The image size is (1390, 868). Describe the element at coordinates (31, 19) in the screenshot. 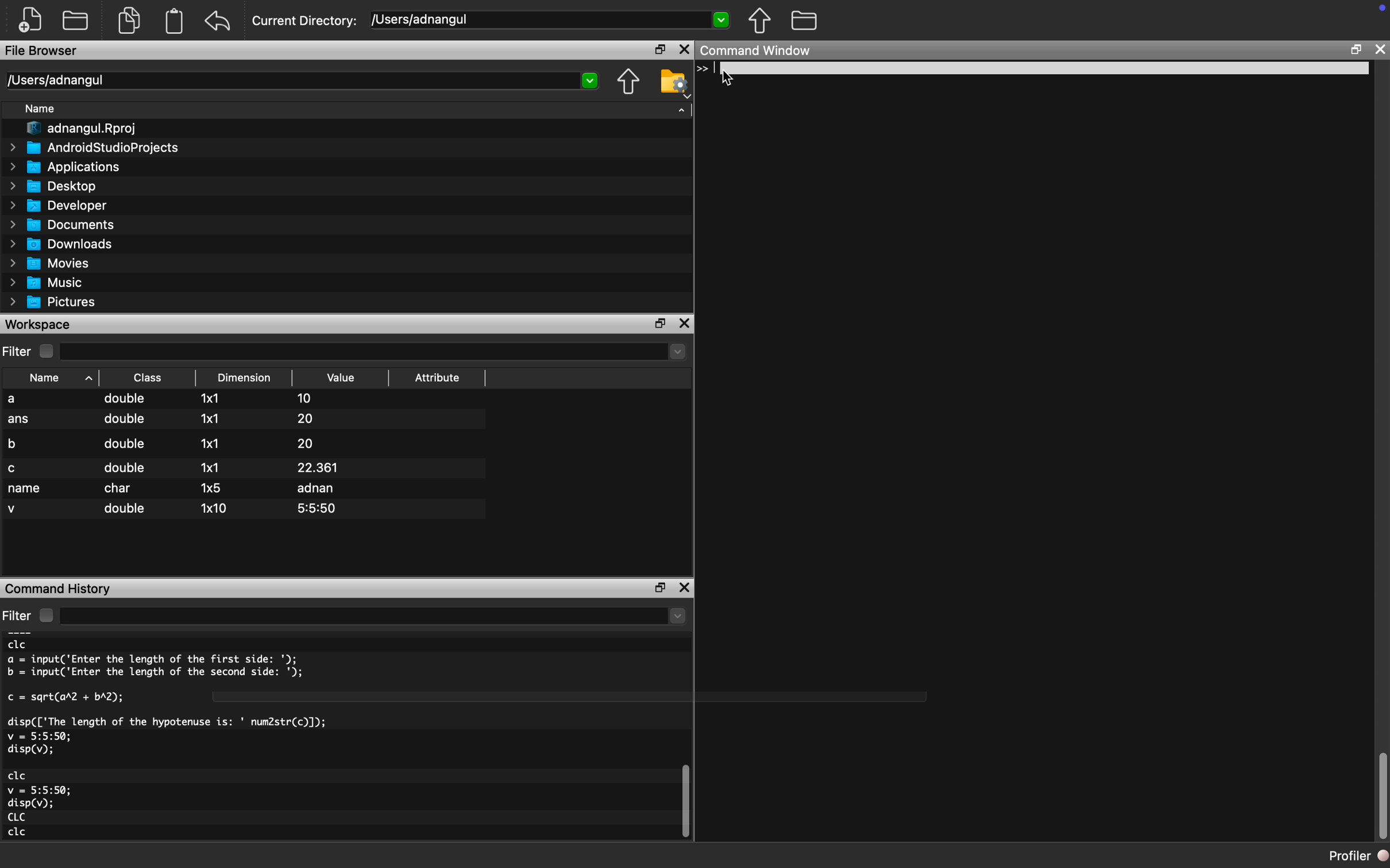

I see `New script` at that location.